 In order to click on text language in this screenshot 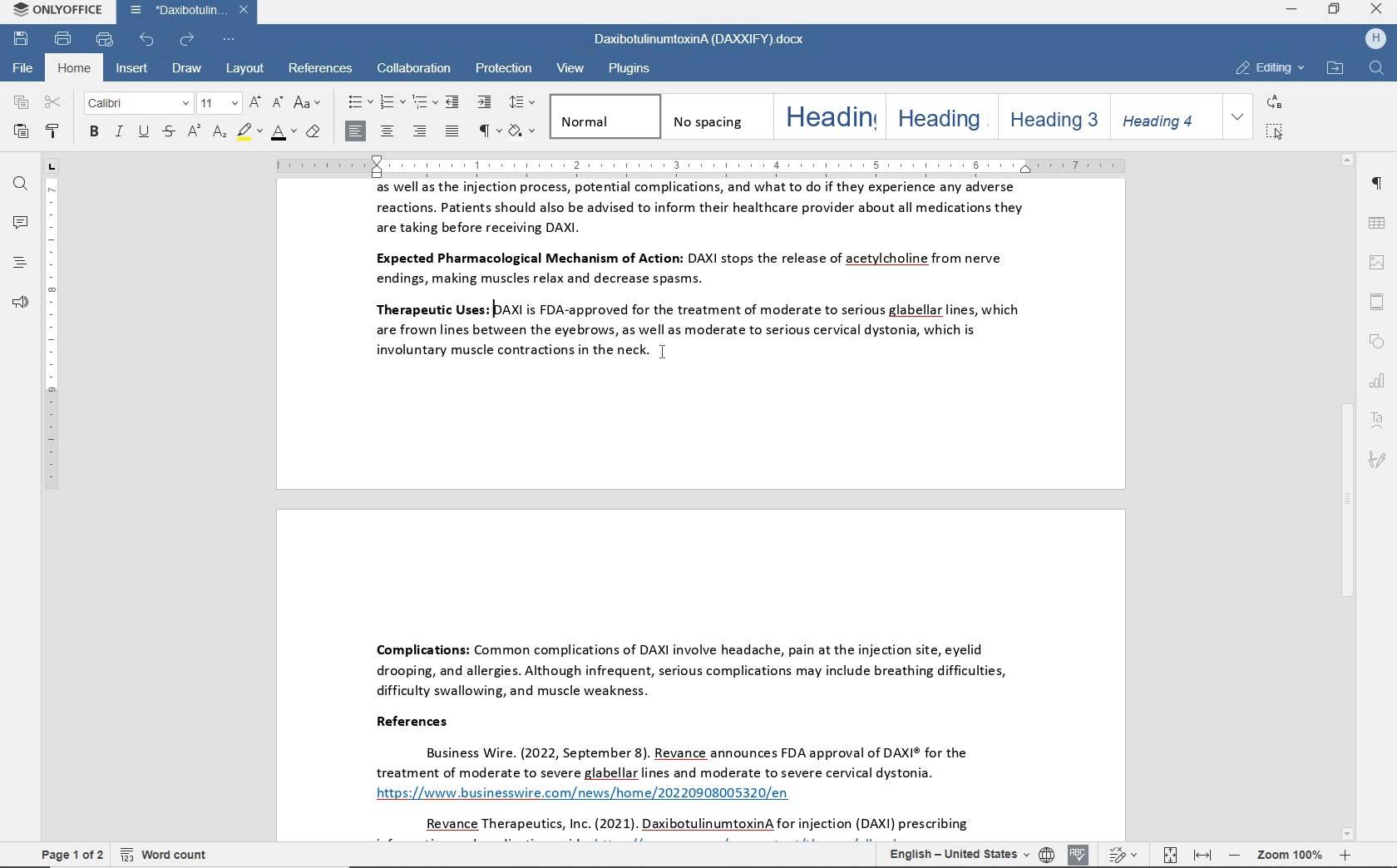, I will do `click(955, 856)`.